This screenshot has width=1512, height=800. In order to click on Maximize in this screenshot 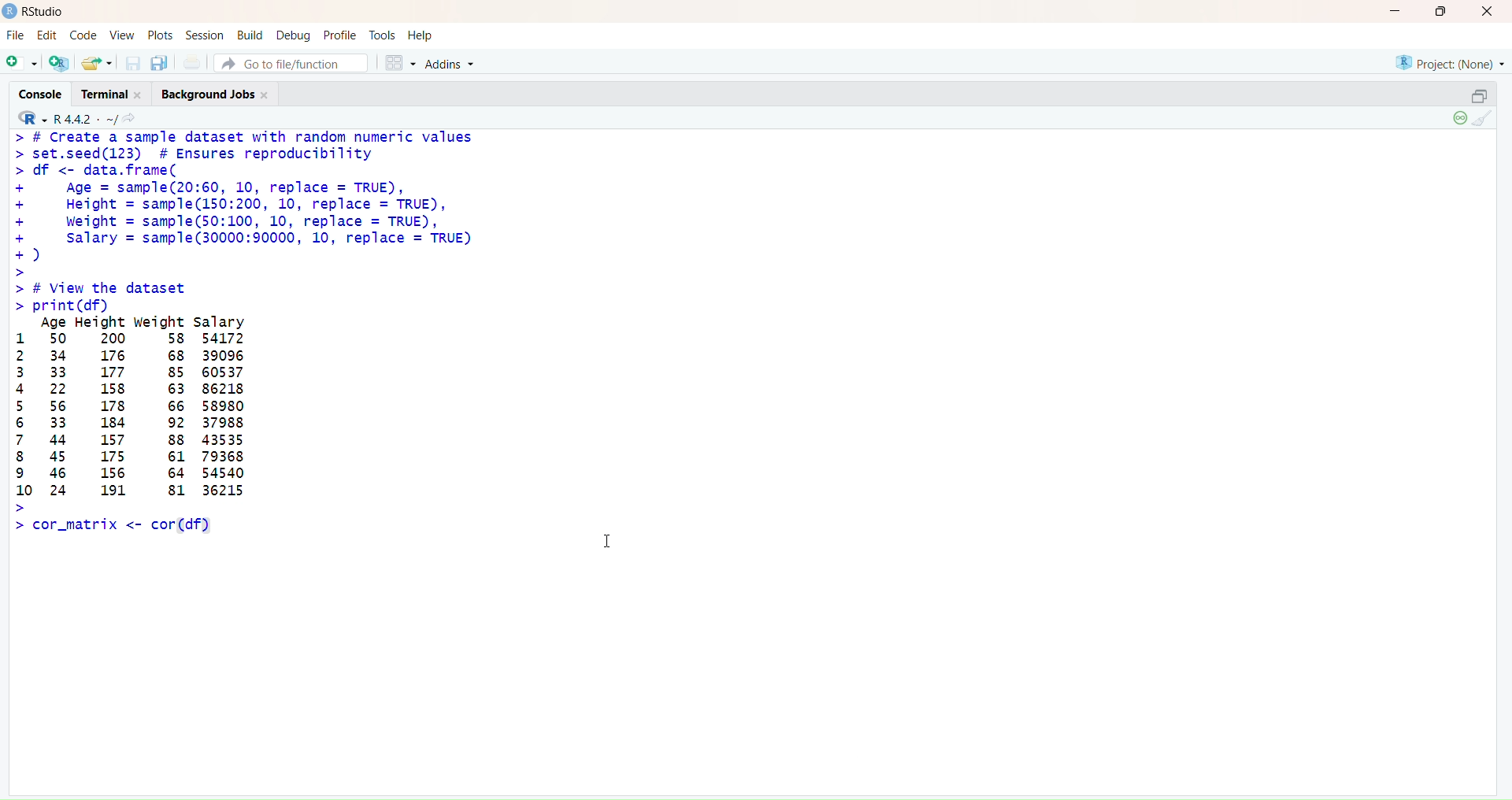, I will do `click(1441, 12)`.